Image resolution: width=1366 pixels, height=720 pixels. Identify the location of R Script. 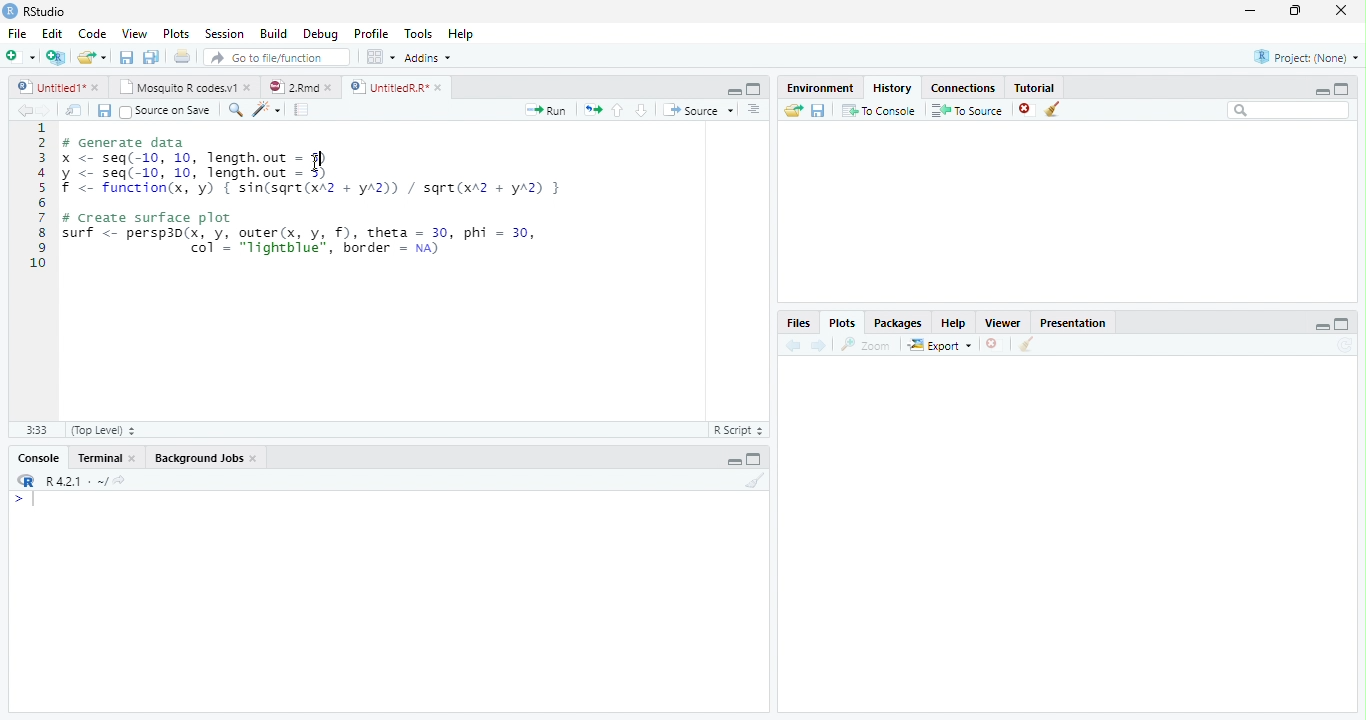
(741, 430).